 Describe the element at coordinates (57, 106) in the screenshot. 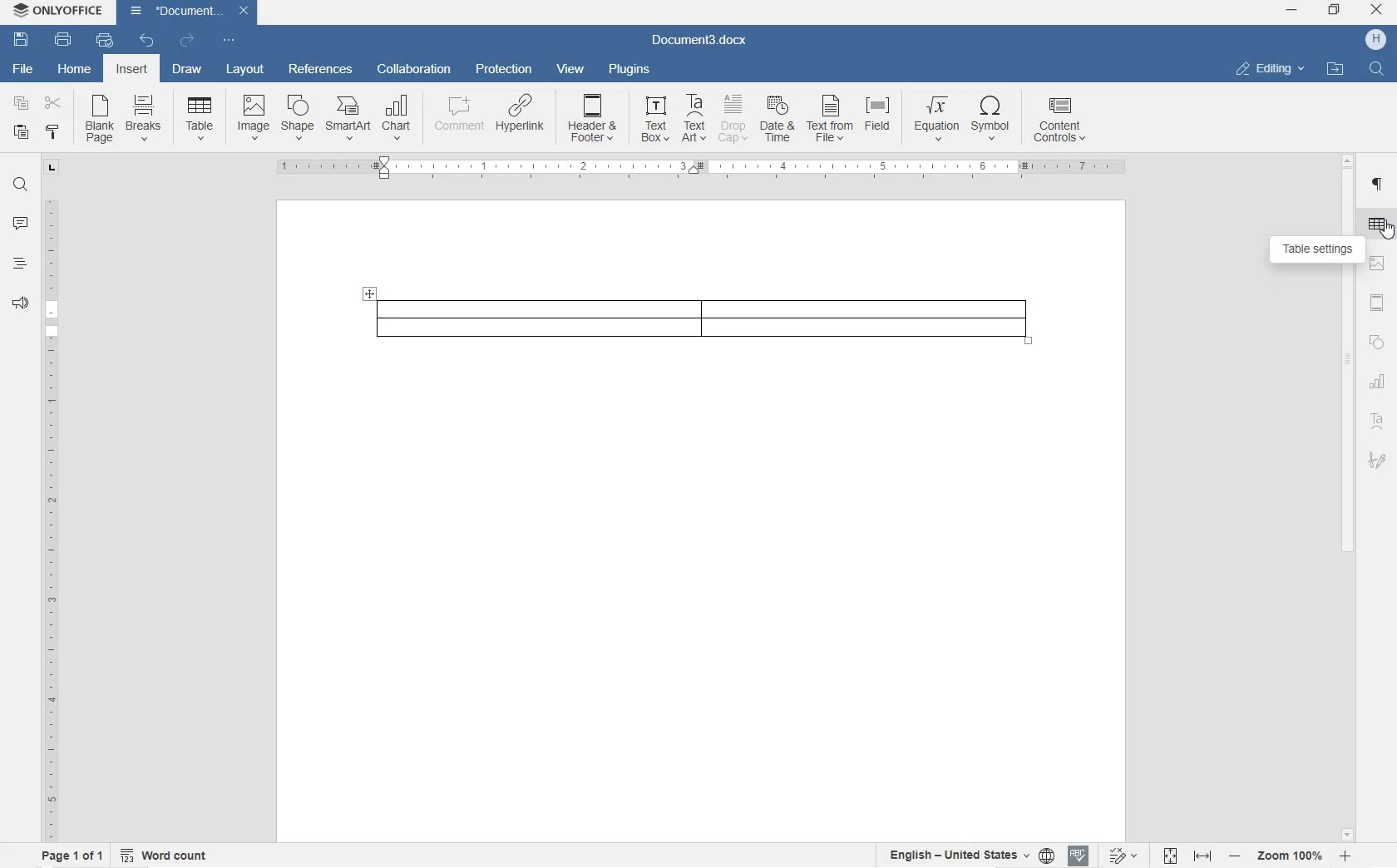

I see `CUT` at that location.